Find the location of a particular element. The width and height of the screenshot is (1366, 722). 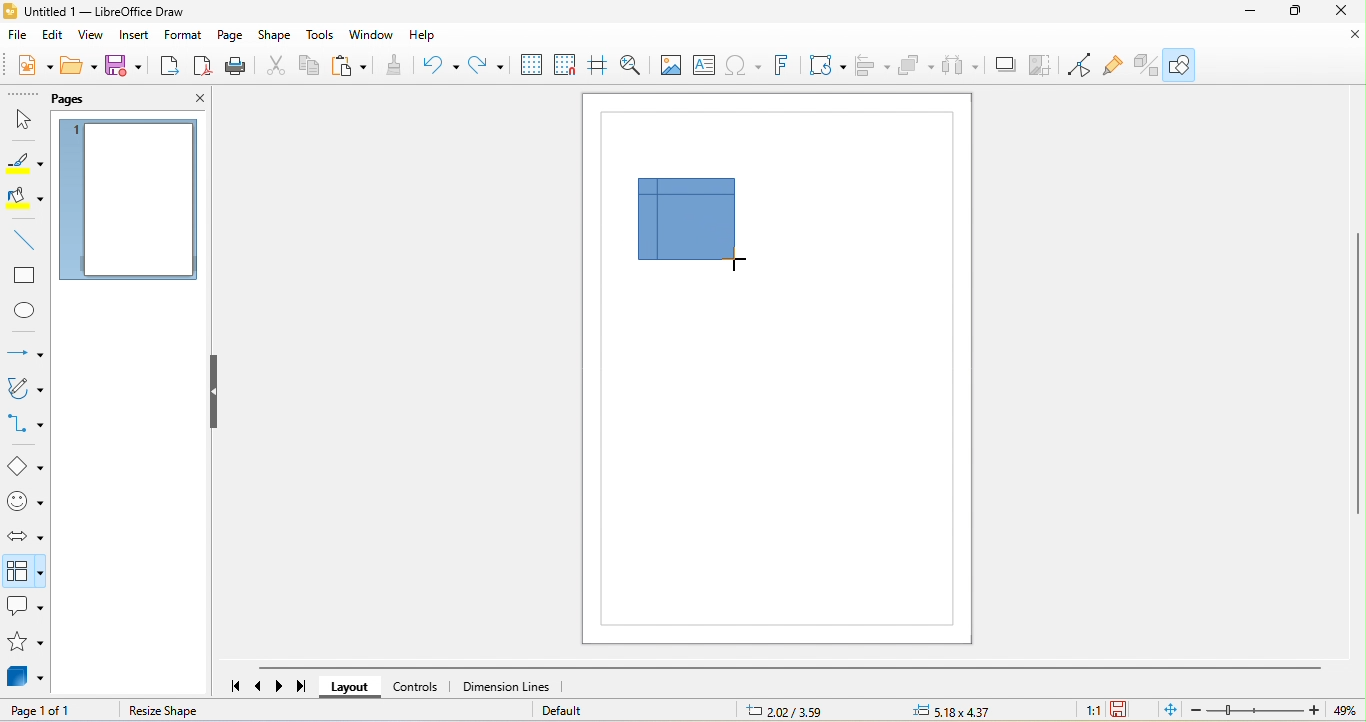

shadow is located at coordinates (1009, 65).